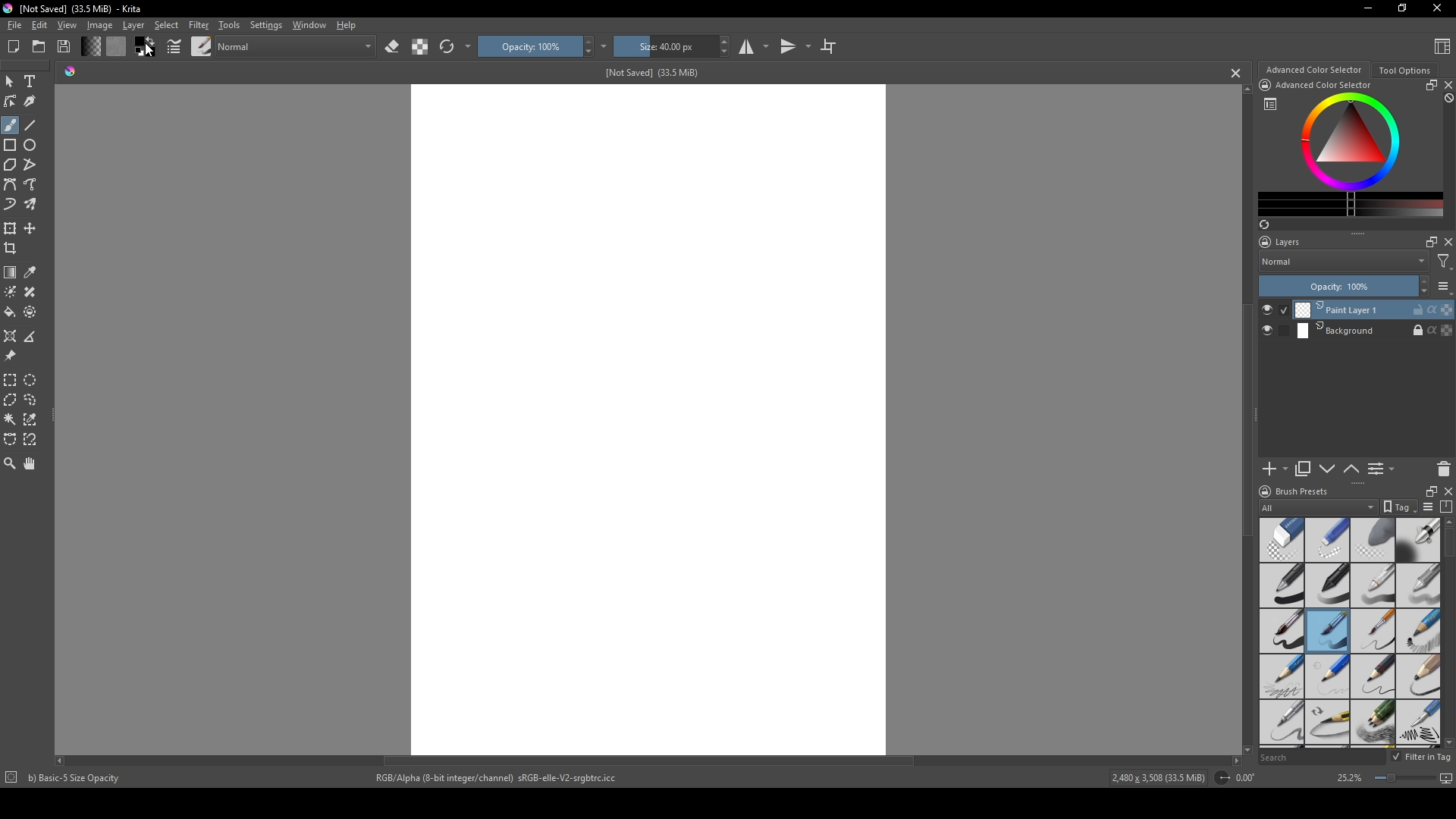  What do you see at coordinates (167, 25) in the screenshot?
I see `Select` at bounding box center [167, 25].